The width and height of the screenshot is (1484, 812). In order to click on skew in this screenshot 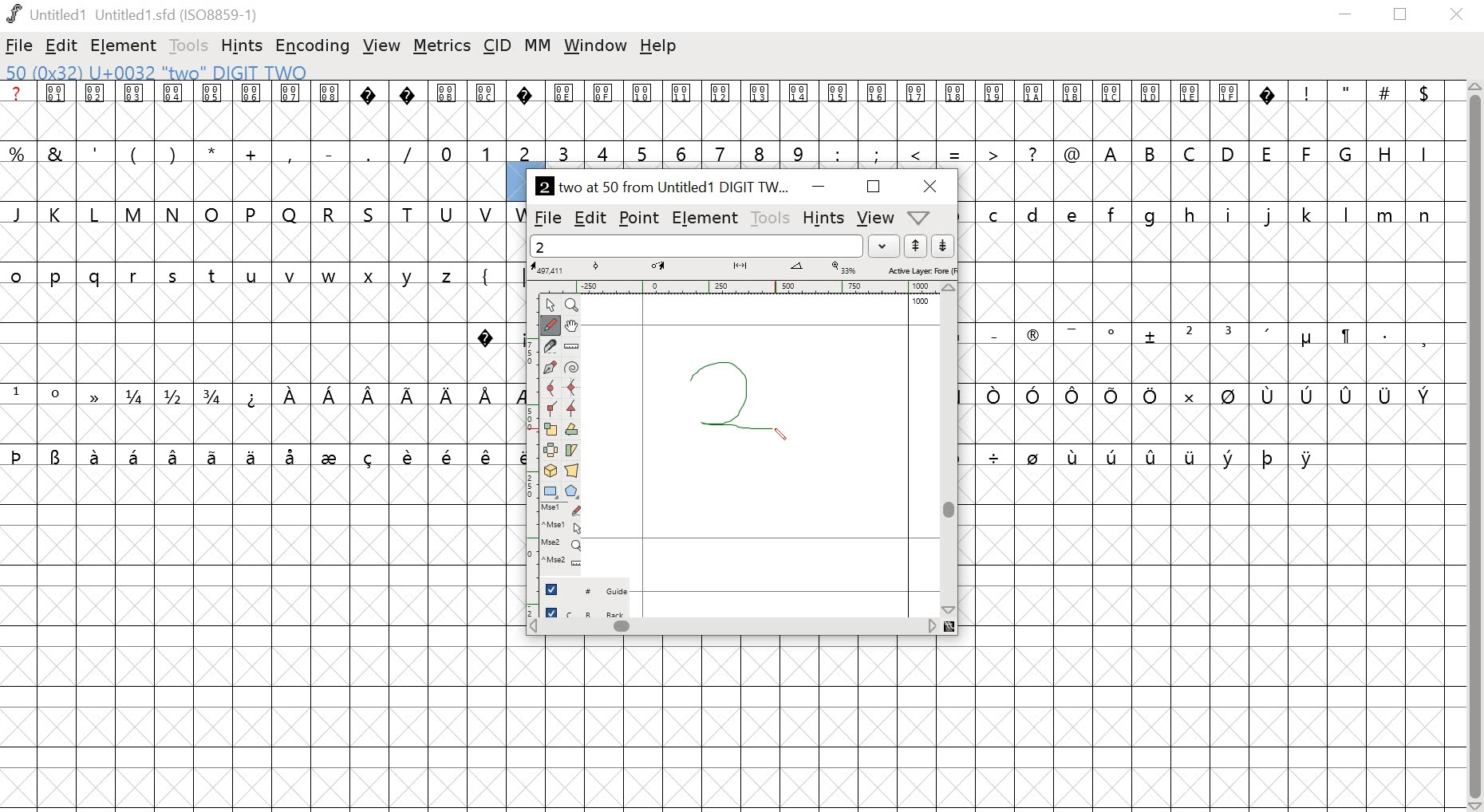, I will do `click(571, 451)`.